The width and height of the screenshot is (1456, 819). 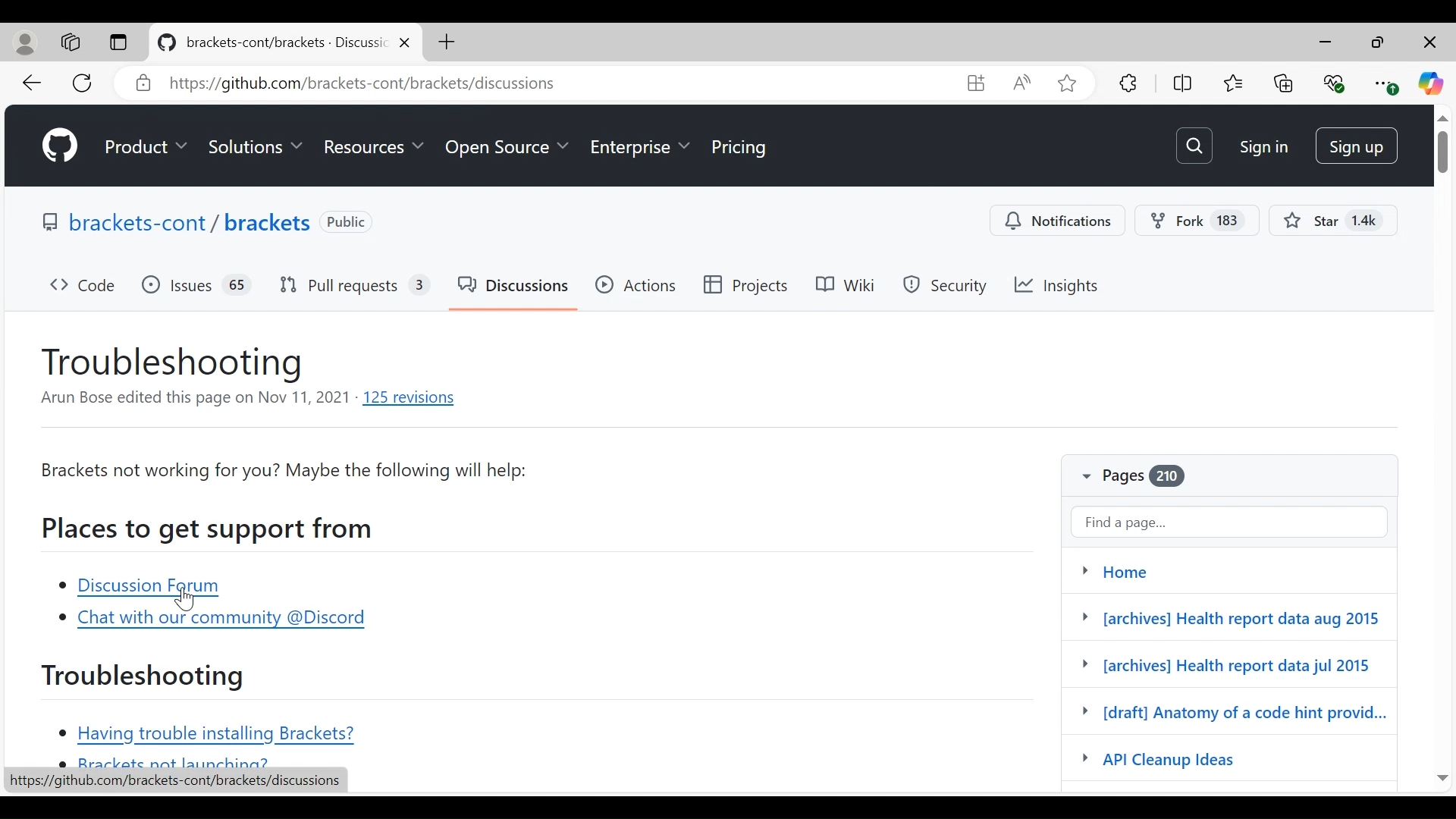 I want to click on Pricing, so click(x=741, y=149).